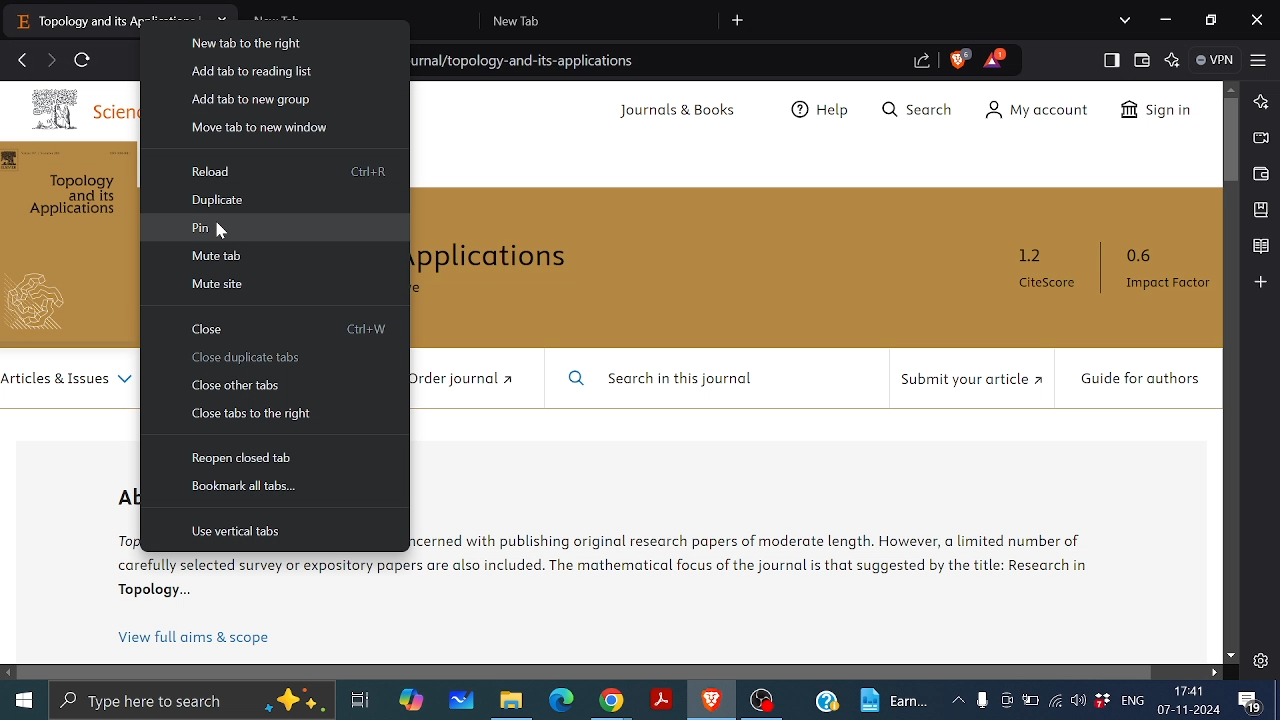 This screenshot has width=1280, height=720. Describe the element at coordinates (994, 58) in the screenshot. I see `Rewards` at that location.